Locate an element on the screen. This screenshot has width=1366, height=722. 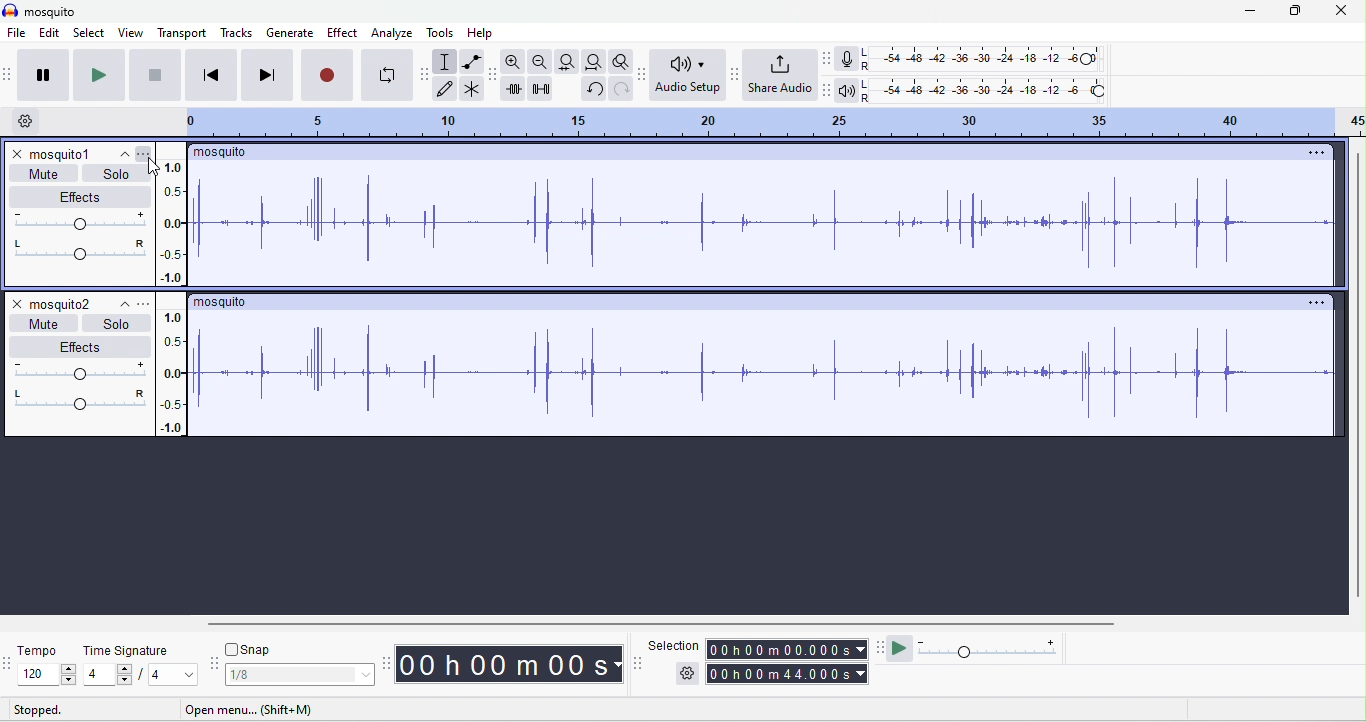
playback meter tool bar is located at coordinates (826, 89).